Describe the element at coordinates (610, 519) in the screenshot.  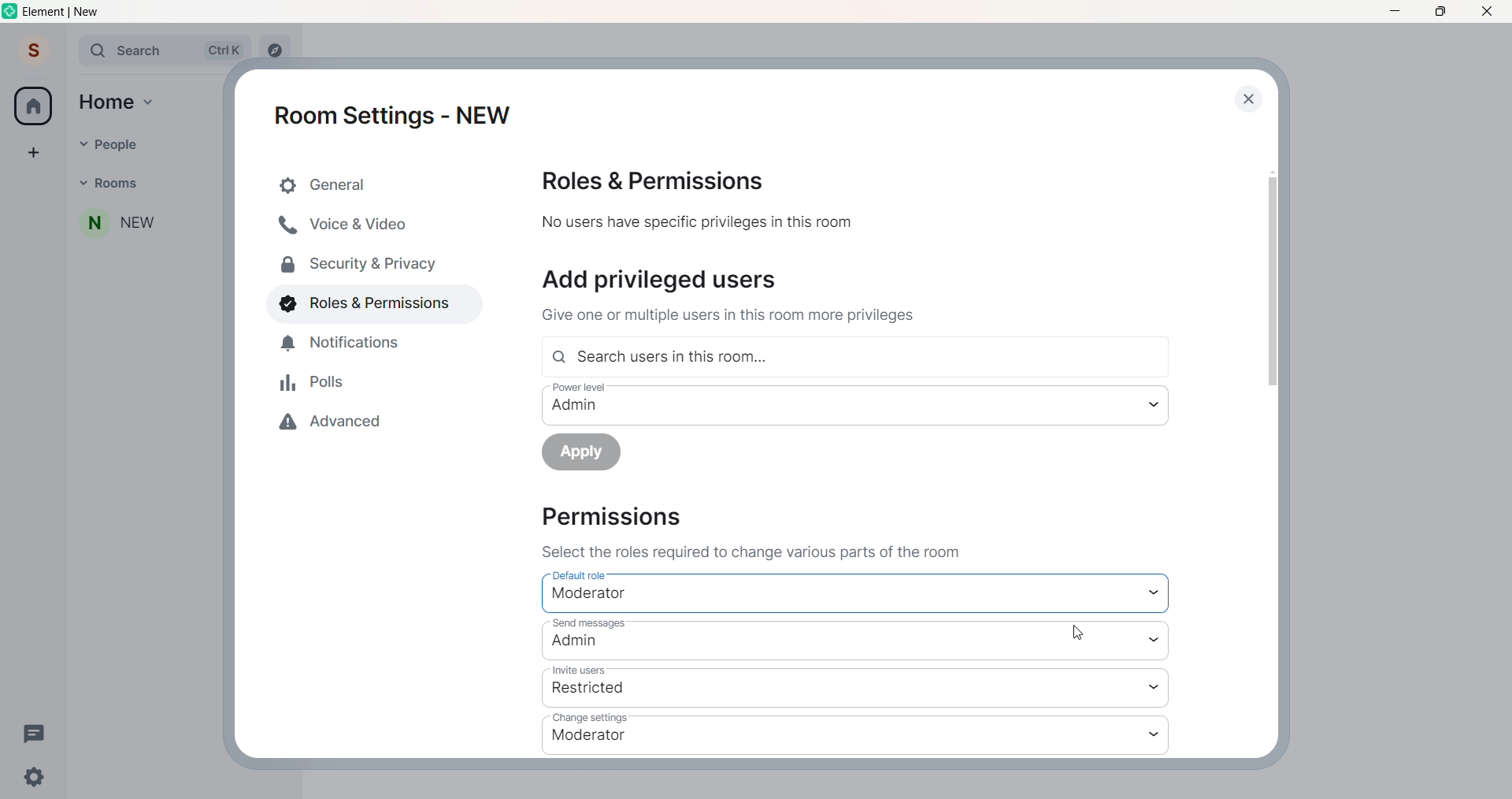
I see `permission` at that location.